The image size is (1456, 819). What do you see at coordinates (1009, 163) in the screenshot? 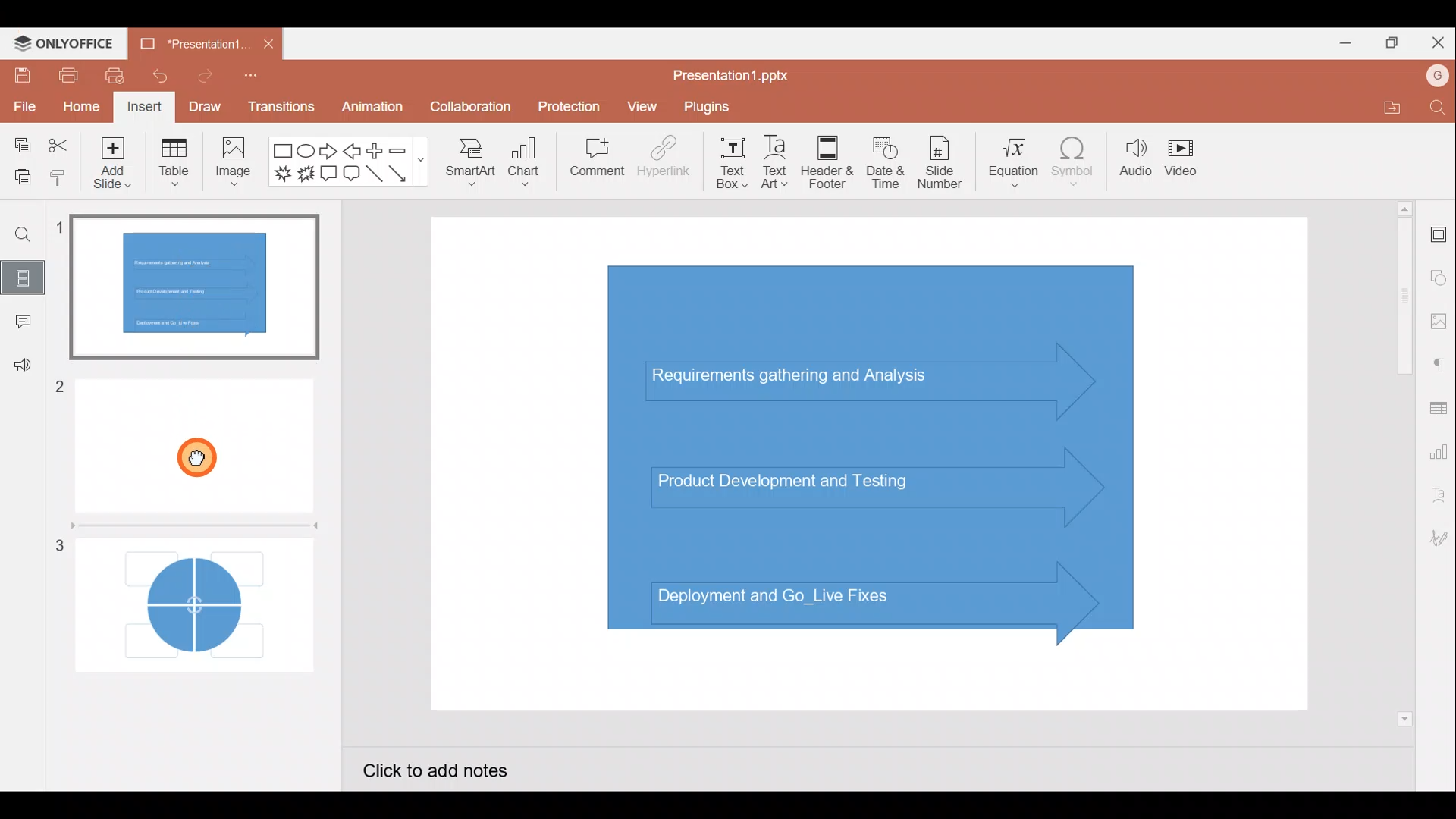
I see `Equation` at bounding box center [1009, 163].